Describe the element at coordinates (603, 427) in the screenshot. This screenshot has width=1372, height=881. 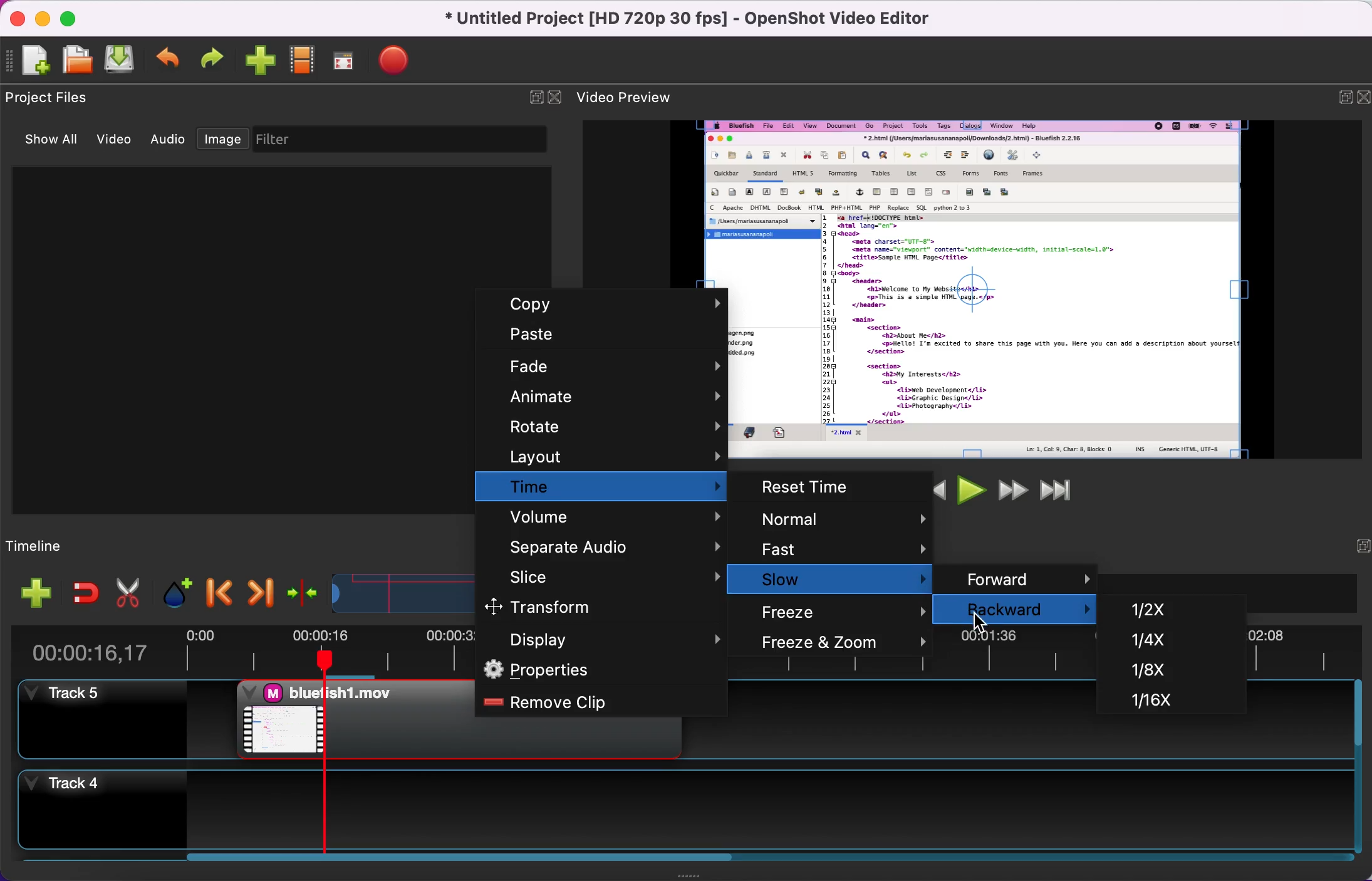
I see `rotate` at that location.